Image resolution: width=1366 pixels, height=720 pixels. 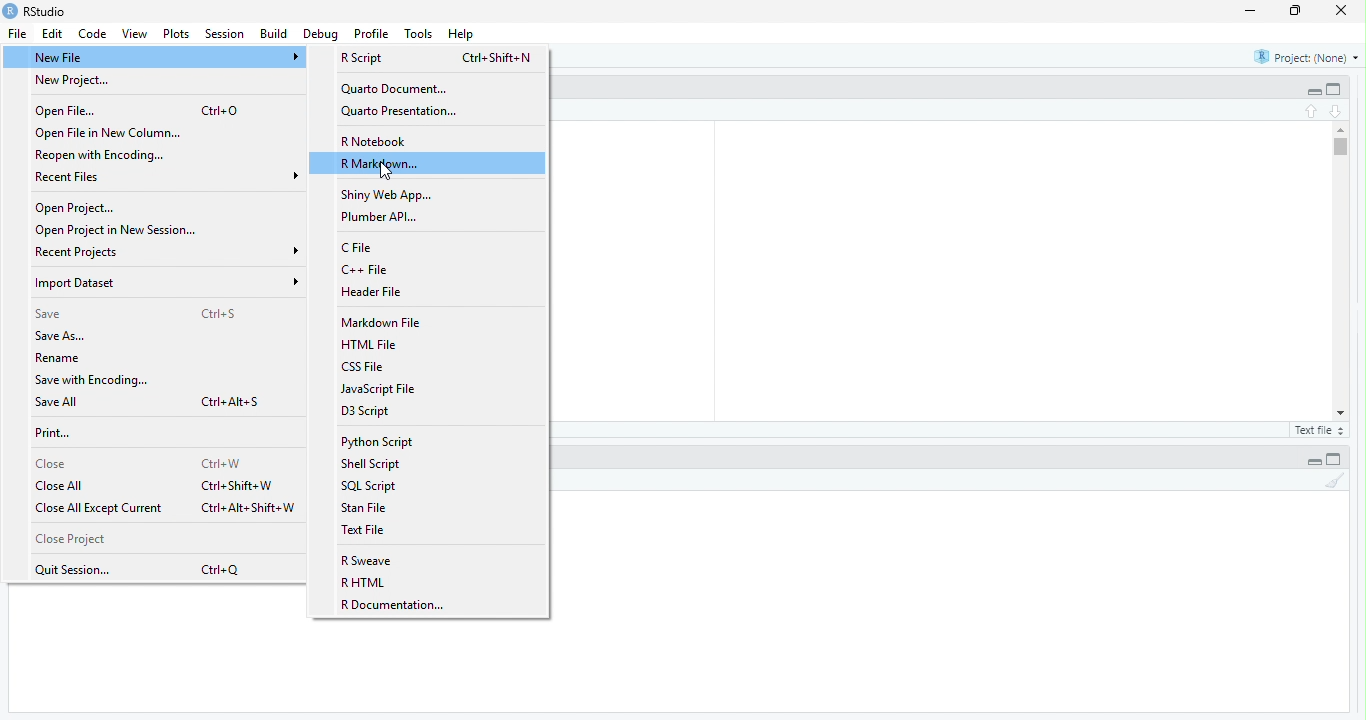 I want to click on scroll down, so click(x=1342, y=413).